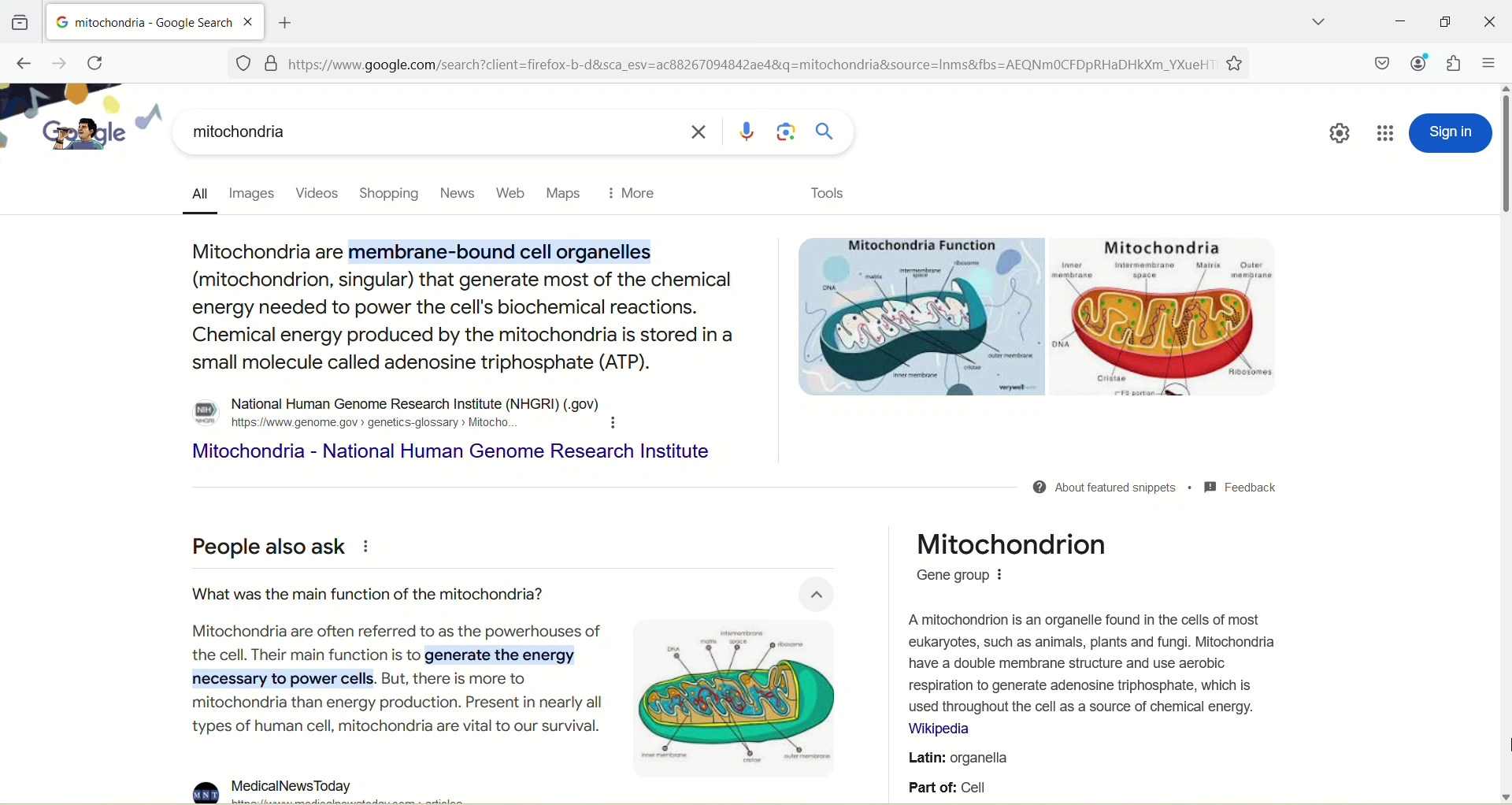 The height and width of the screenshot is (805, 1512). Describe the element at coordinates (568, 193) in the screenshot. I see `maps` at that location.